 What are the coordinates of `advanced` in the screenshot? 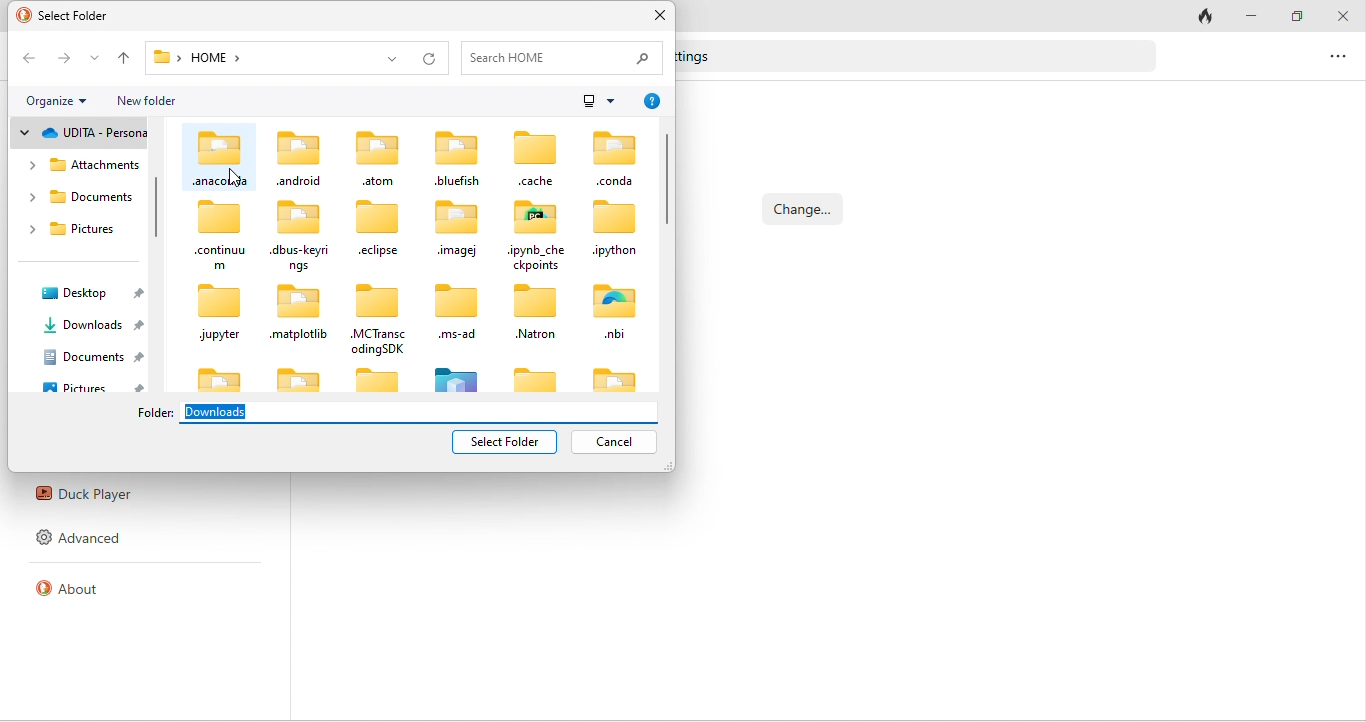 It's located at (82, 542).